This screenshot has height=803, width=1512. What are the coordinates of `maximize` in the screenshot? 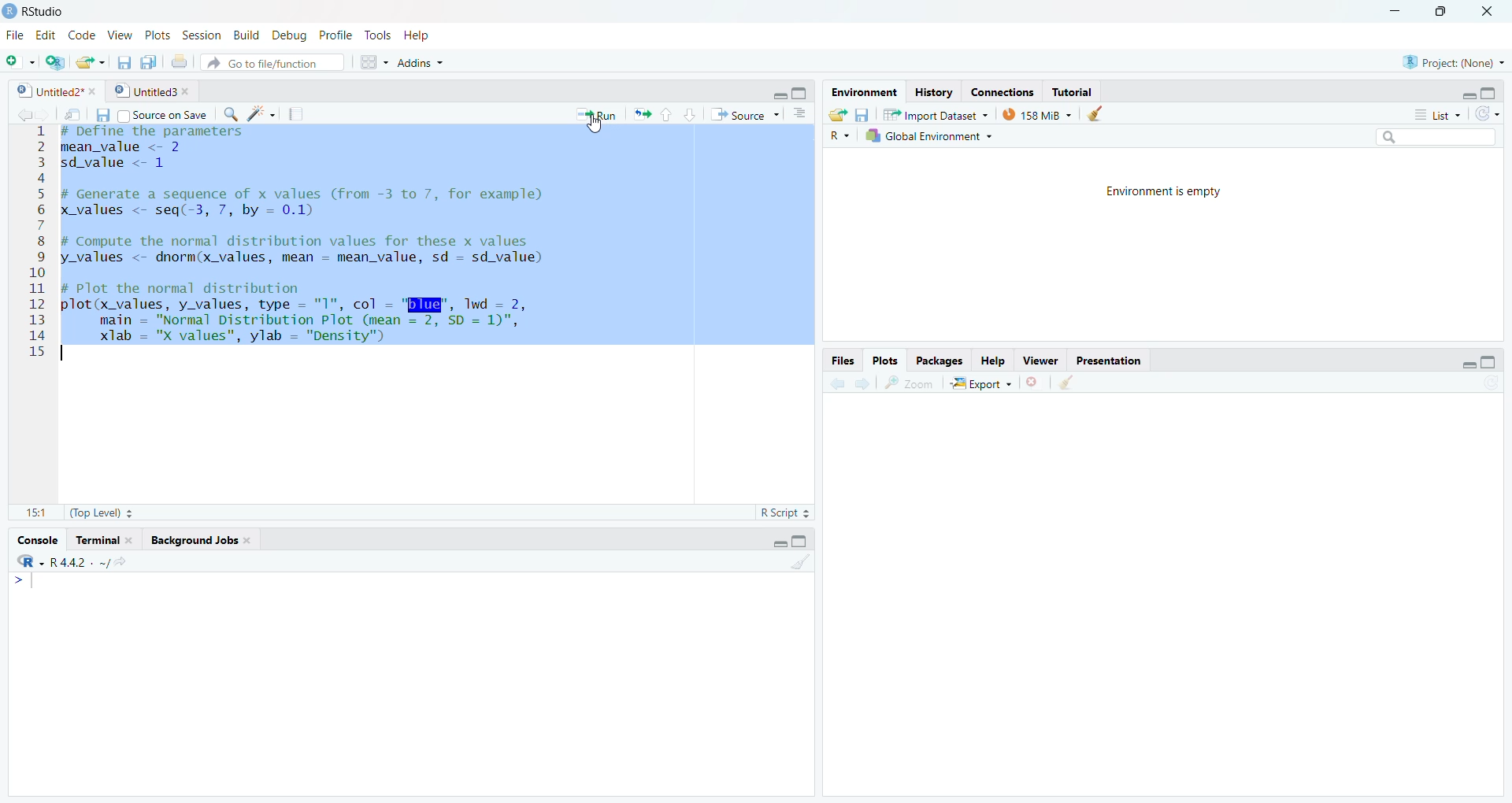 It's located at (1443, 12).